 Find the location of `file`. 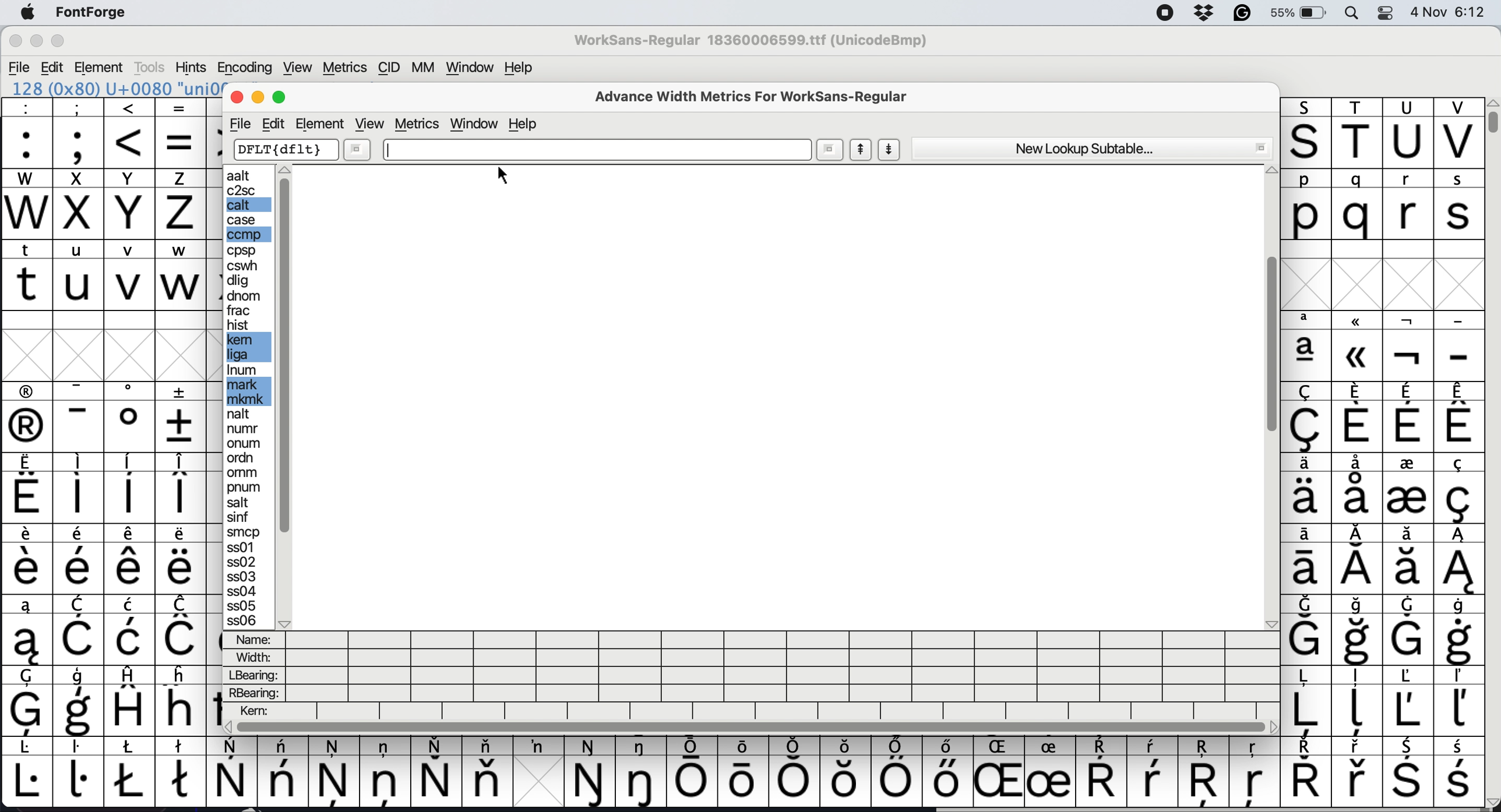

file is located at coordinates (241, 123).